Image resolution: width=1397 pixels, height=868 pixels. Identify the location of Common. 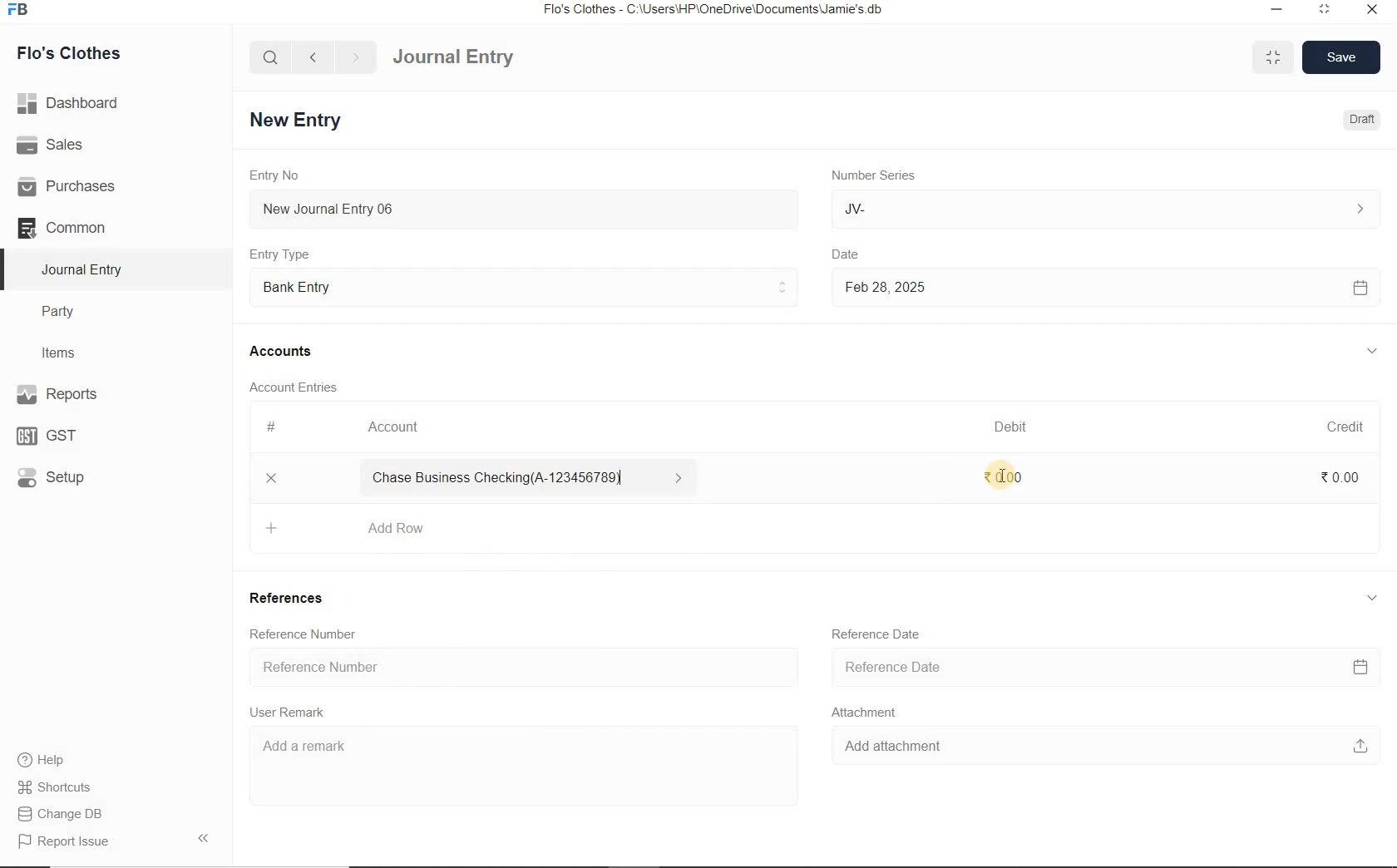
(81, 227).